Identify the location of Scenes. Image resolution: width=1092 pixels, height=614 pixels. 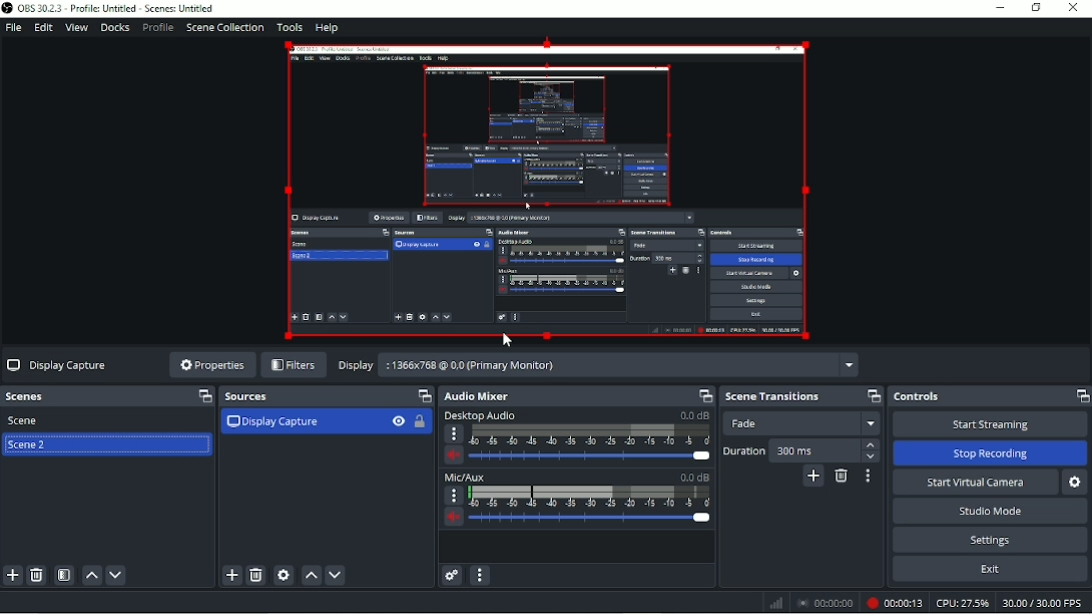
(30, 396).